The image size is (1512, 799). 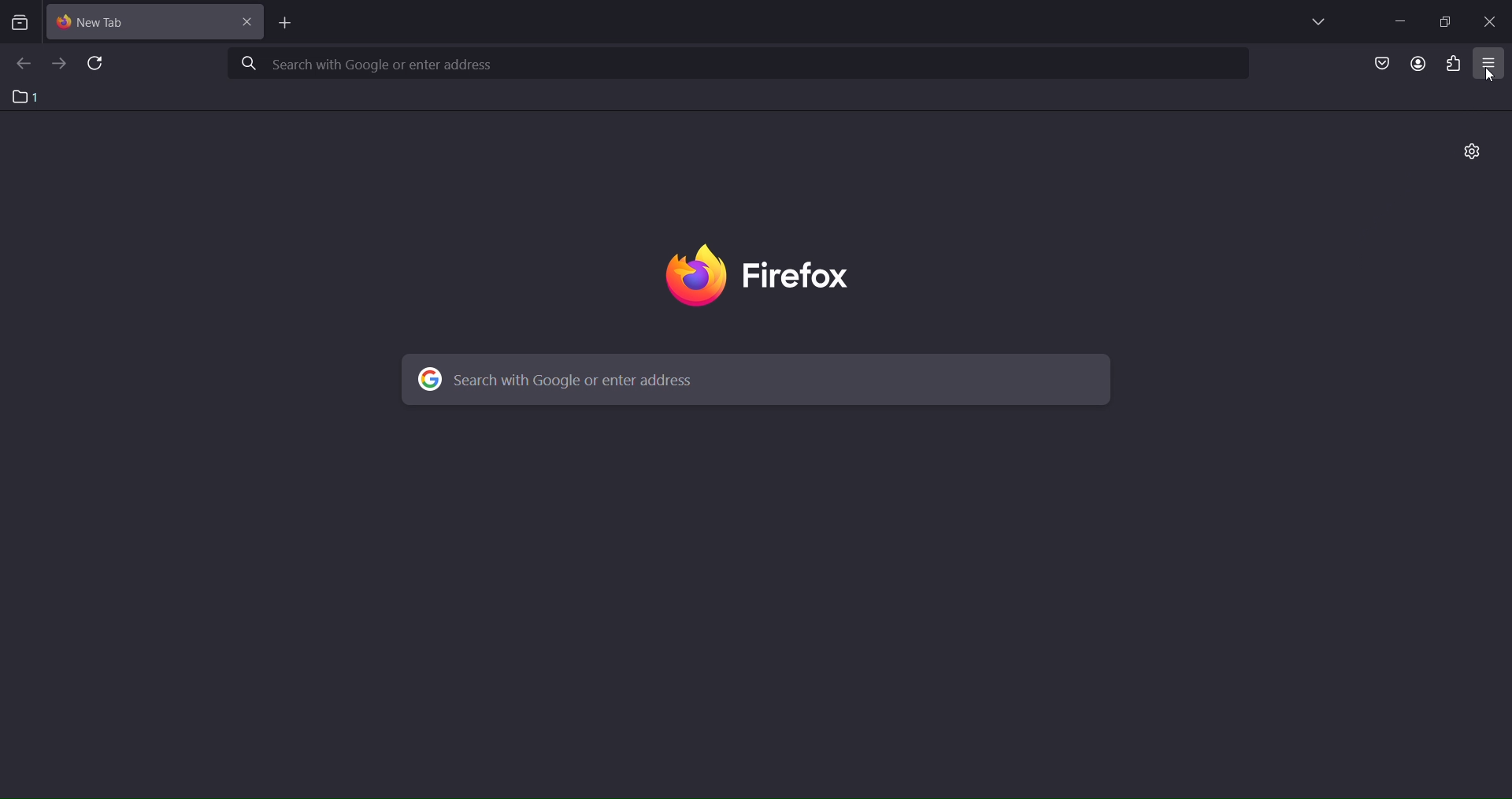 What do you see at coordinates (1447, 22) in the screenshot?
I see `restore down` at bounding box center [1447, 22].